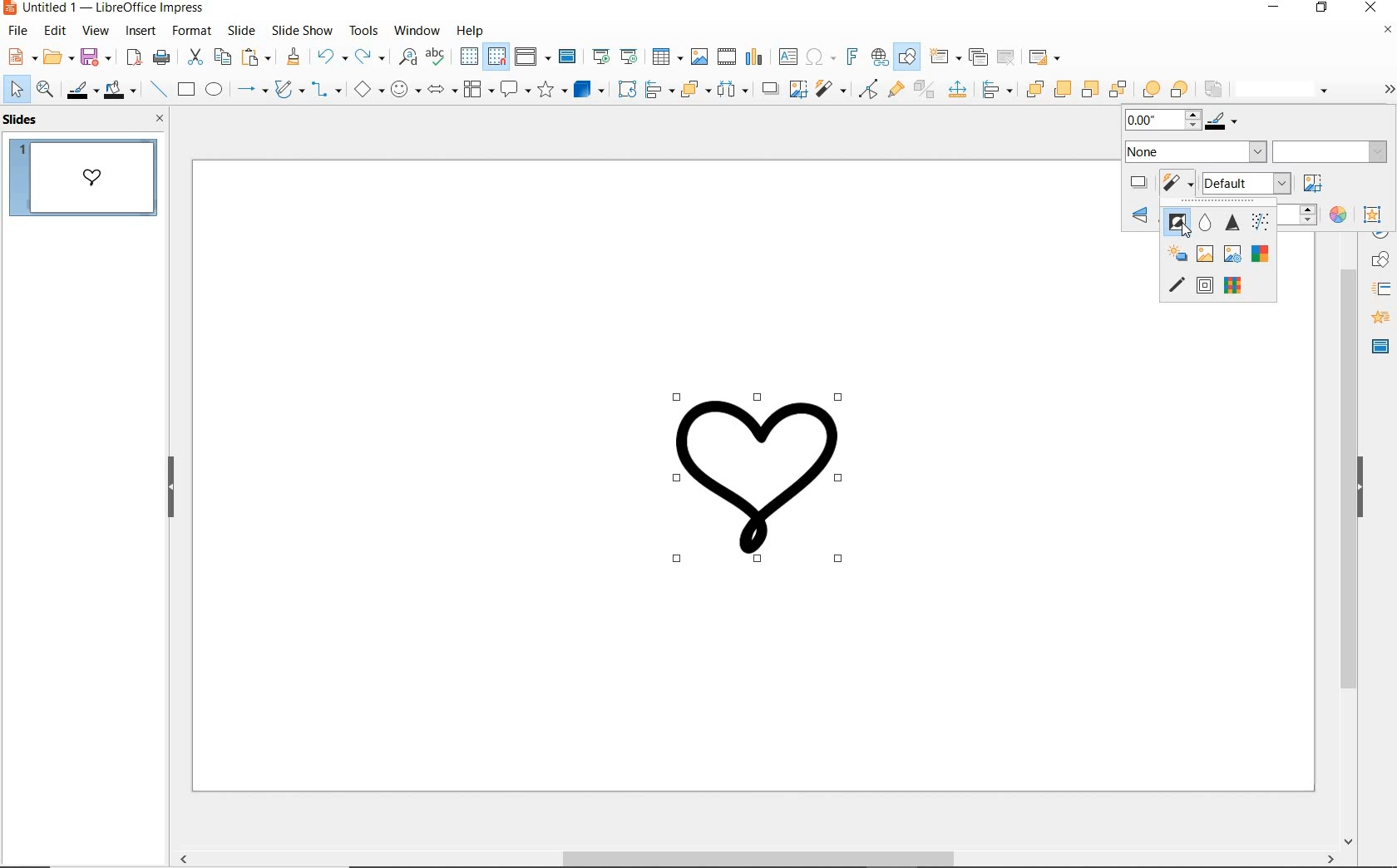 Image resolution: width=1397 pixels, height=868 pixels. Describe the element at coordinates (88, 180) in the screenshot. I see `SLIDE 1` at that location.